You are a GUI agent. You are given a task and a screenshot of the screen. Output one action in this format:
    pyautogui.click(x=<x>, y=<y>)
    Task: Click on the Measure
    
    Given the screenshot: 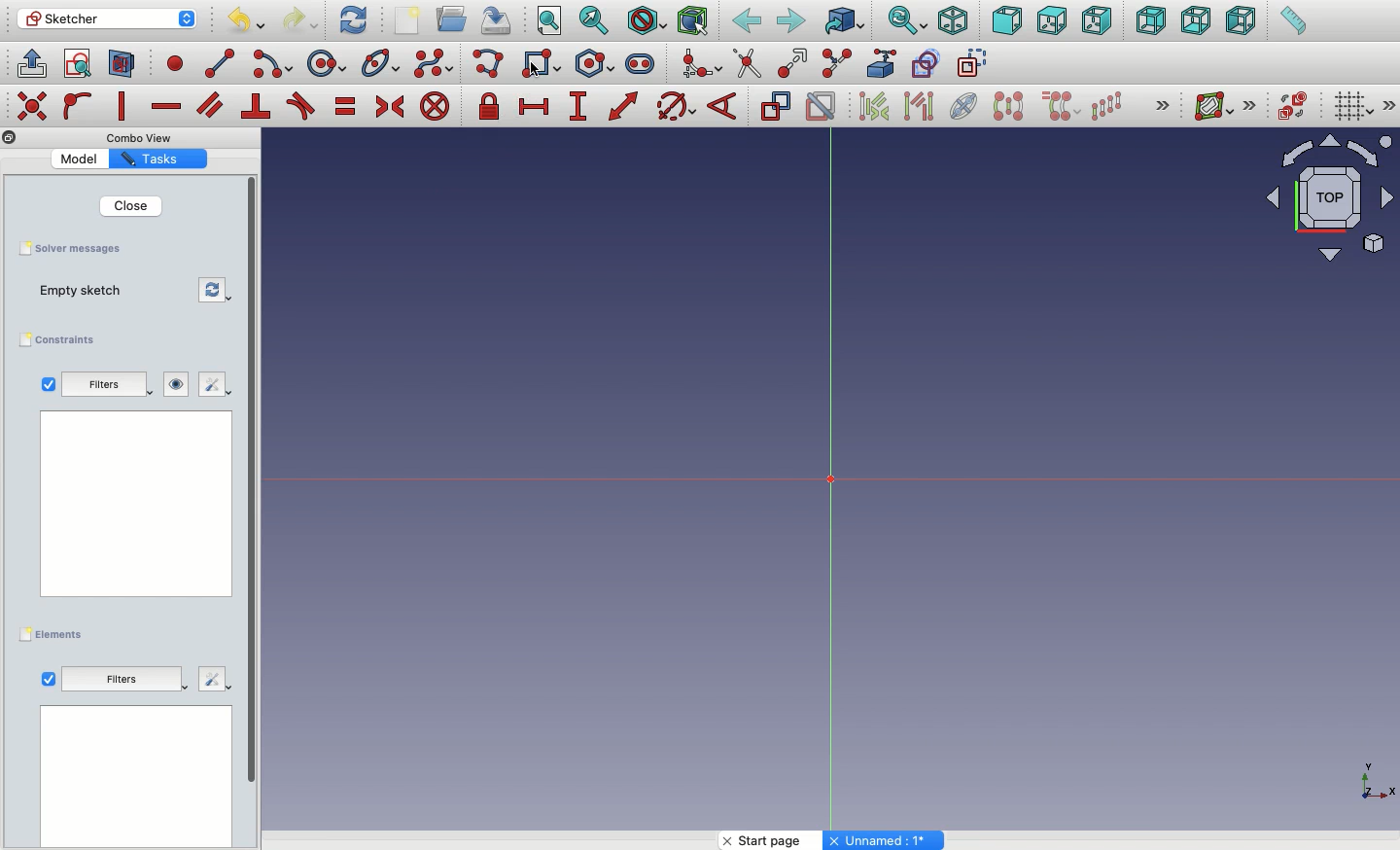 What is the action you would take?
    pyautogui.click(x=1292, y=22)
    